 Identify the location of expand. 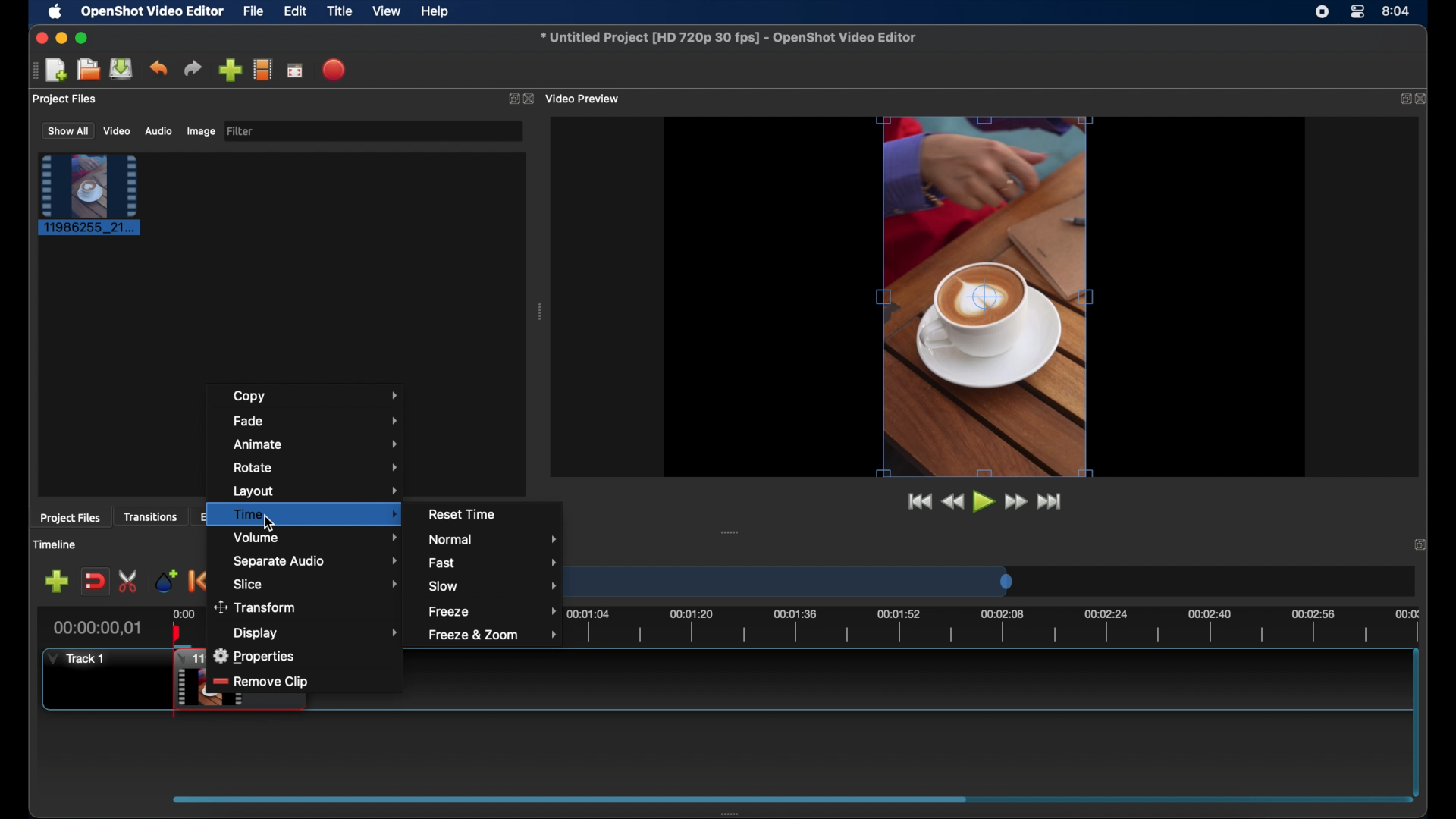
(512, 99).